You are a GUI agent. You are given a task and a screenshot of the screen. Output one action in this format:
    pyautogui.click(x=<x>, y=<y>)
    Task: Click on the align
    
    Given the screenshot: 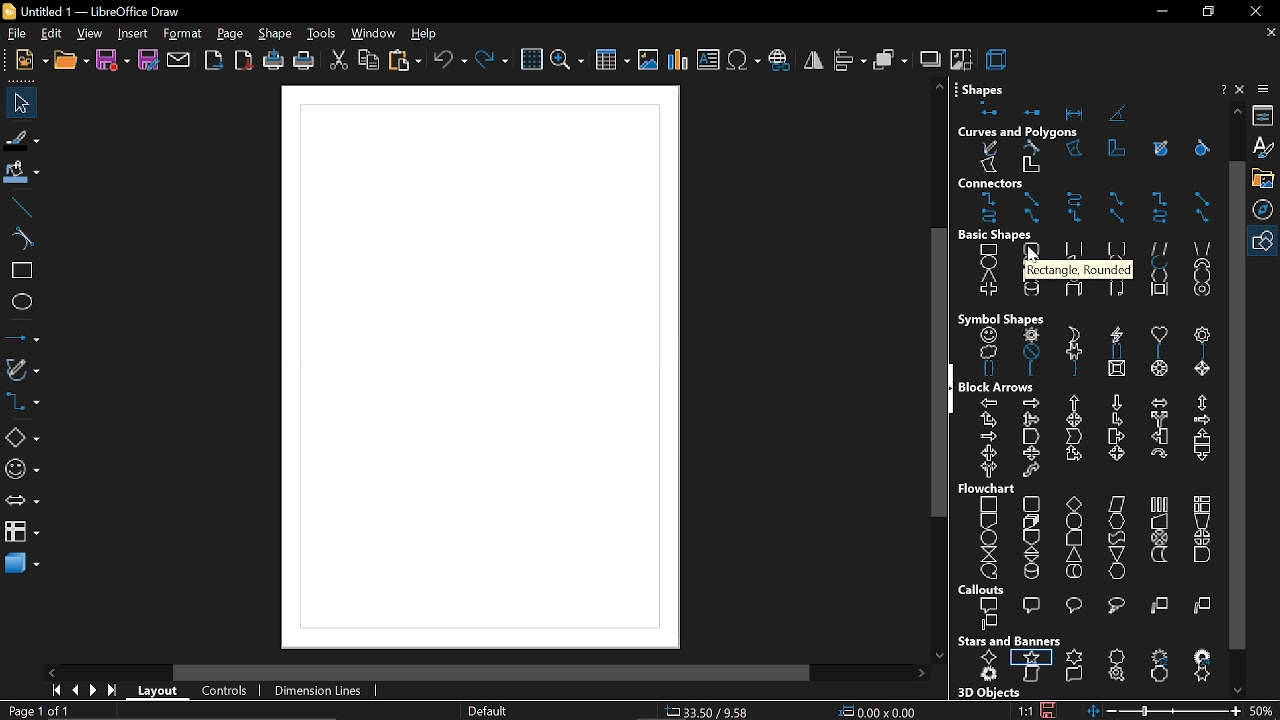 What is the action you would take?
    pyautogui.click(x=851, y=59)
    